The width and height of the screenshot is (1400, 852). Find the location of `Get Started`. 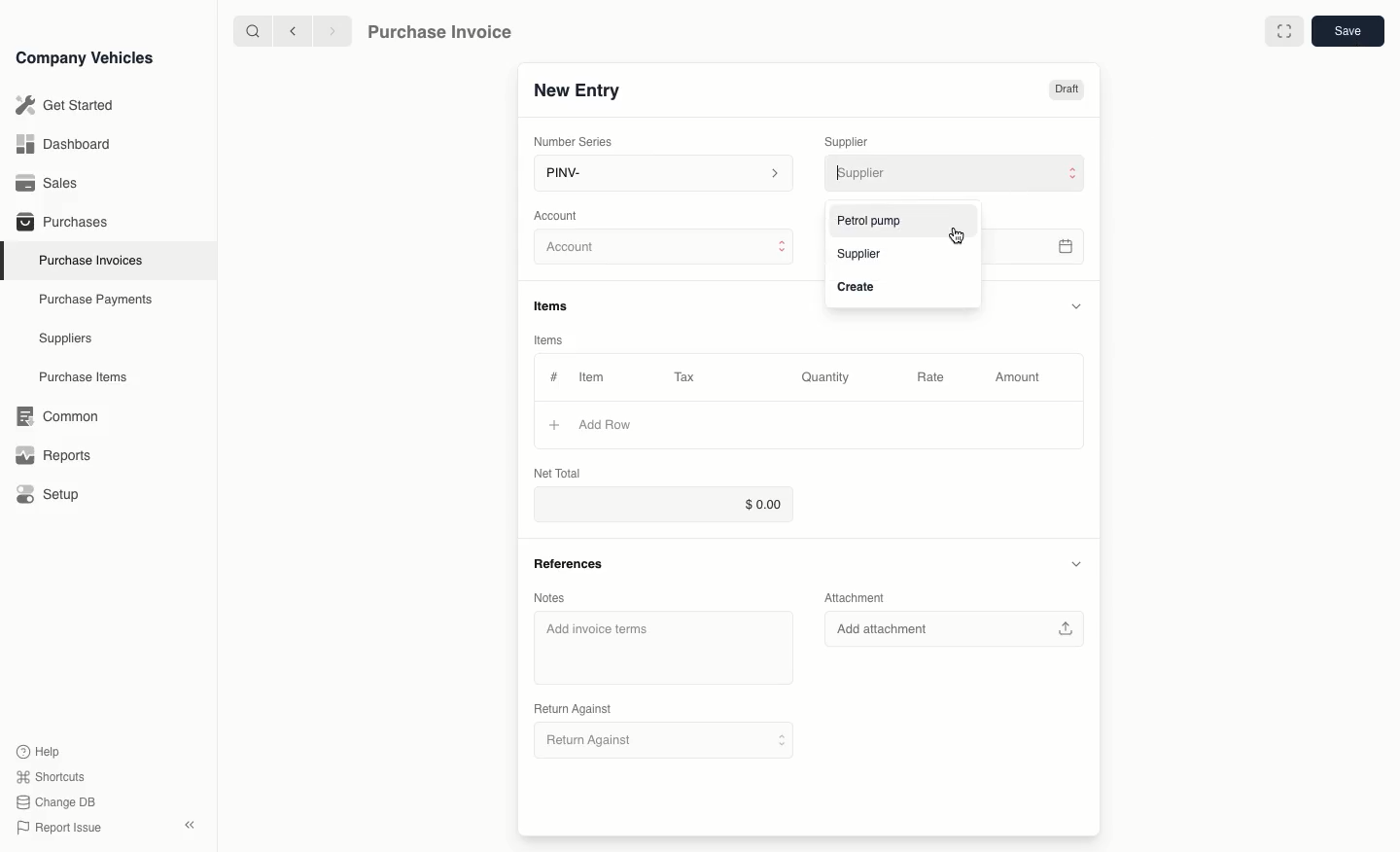

Get Started is located at coordinates (61, 105).